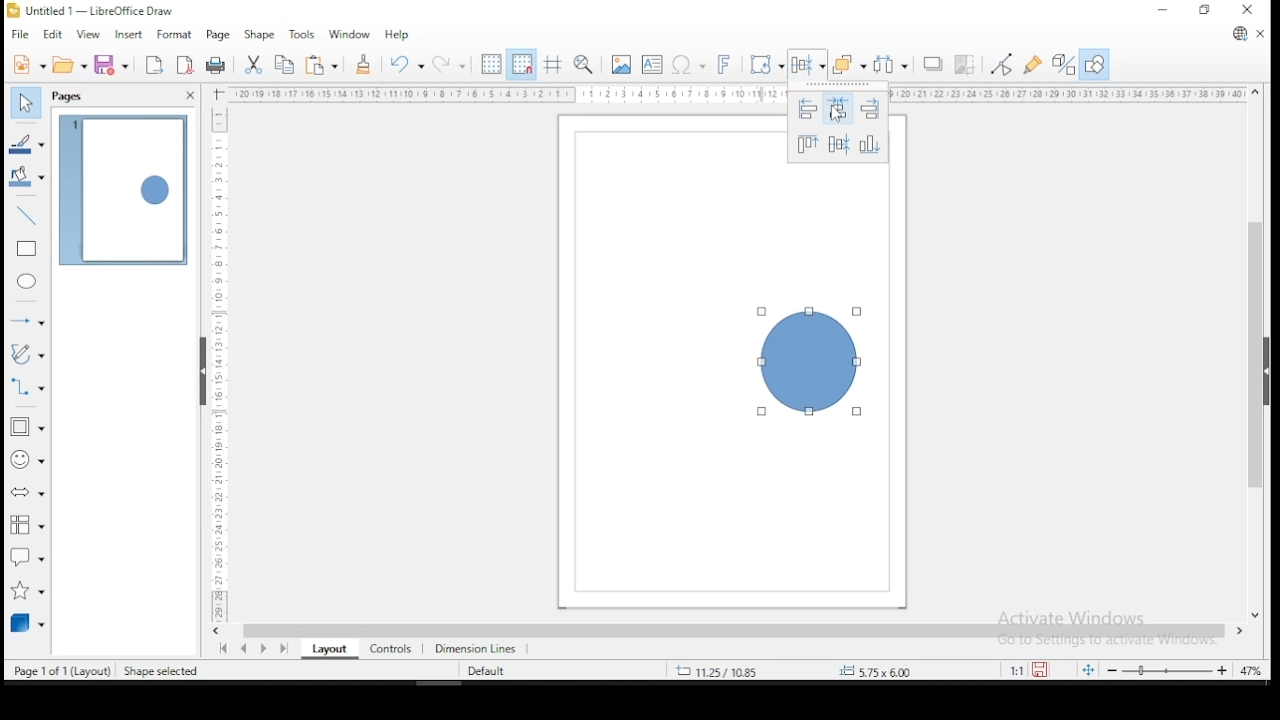 The width and height of the screenshot is (1280, 720). I want to click on show gluepoint functions, so click(1033, 66).